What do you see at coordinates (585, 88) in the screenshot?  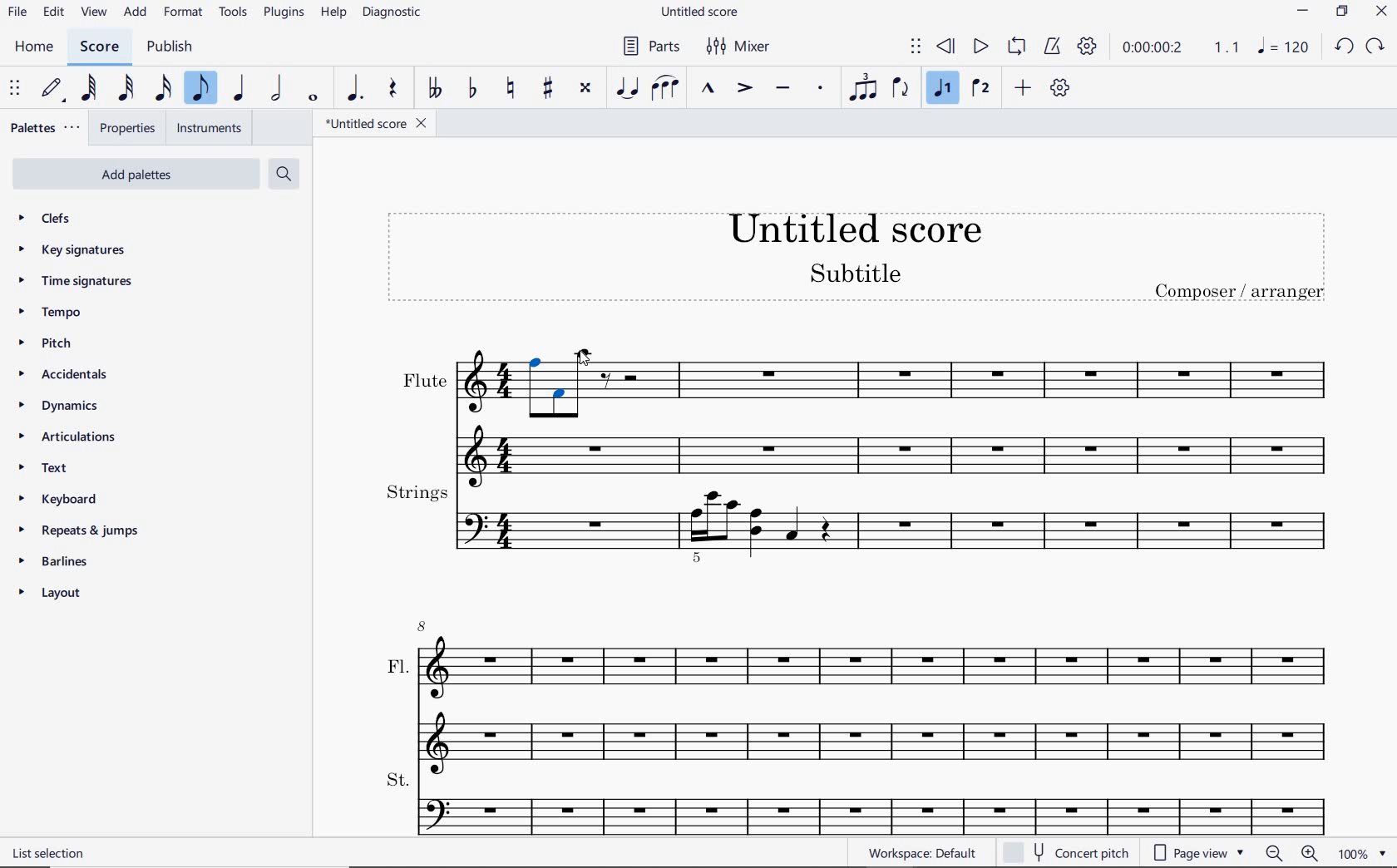 I see `TOGGLE DOUBLE-SHARP` at bounding box center [585, 88].